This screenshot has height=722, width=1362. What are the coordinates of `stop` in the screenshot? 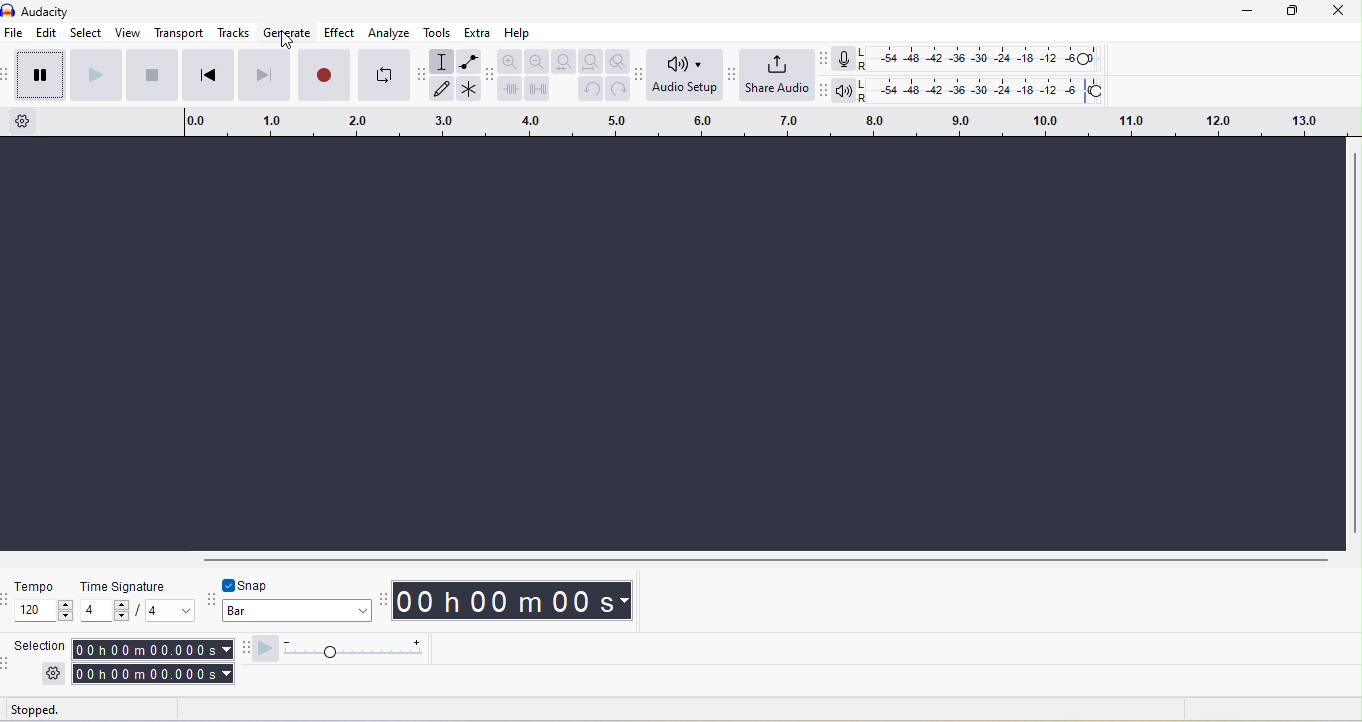 It's located at (153, 76).